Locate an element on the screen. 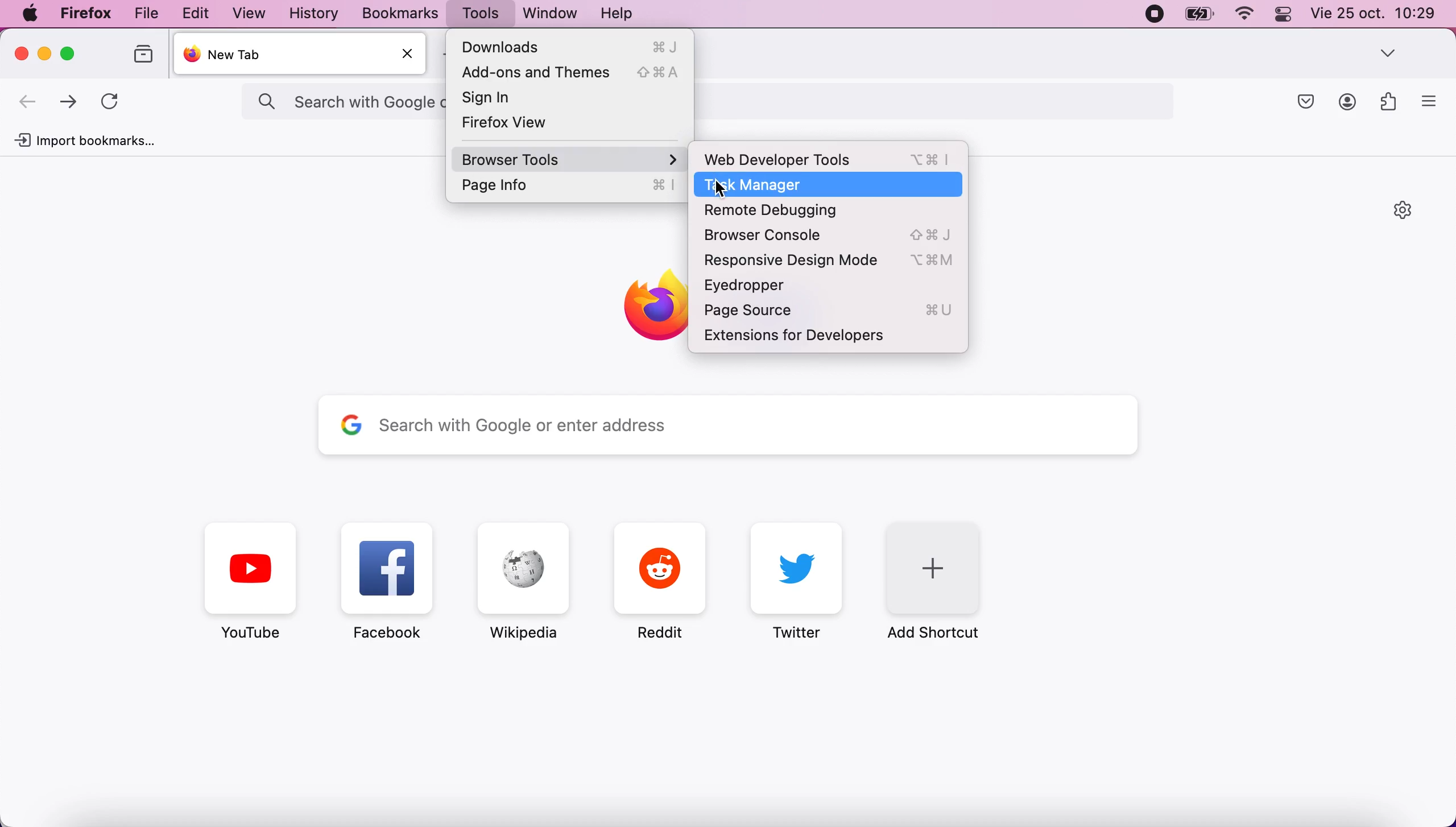 Image resolution: width=1456 pixels, height=827 pixels. Help is located at coordinates (617, 12).